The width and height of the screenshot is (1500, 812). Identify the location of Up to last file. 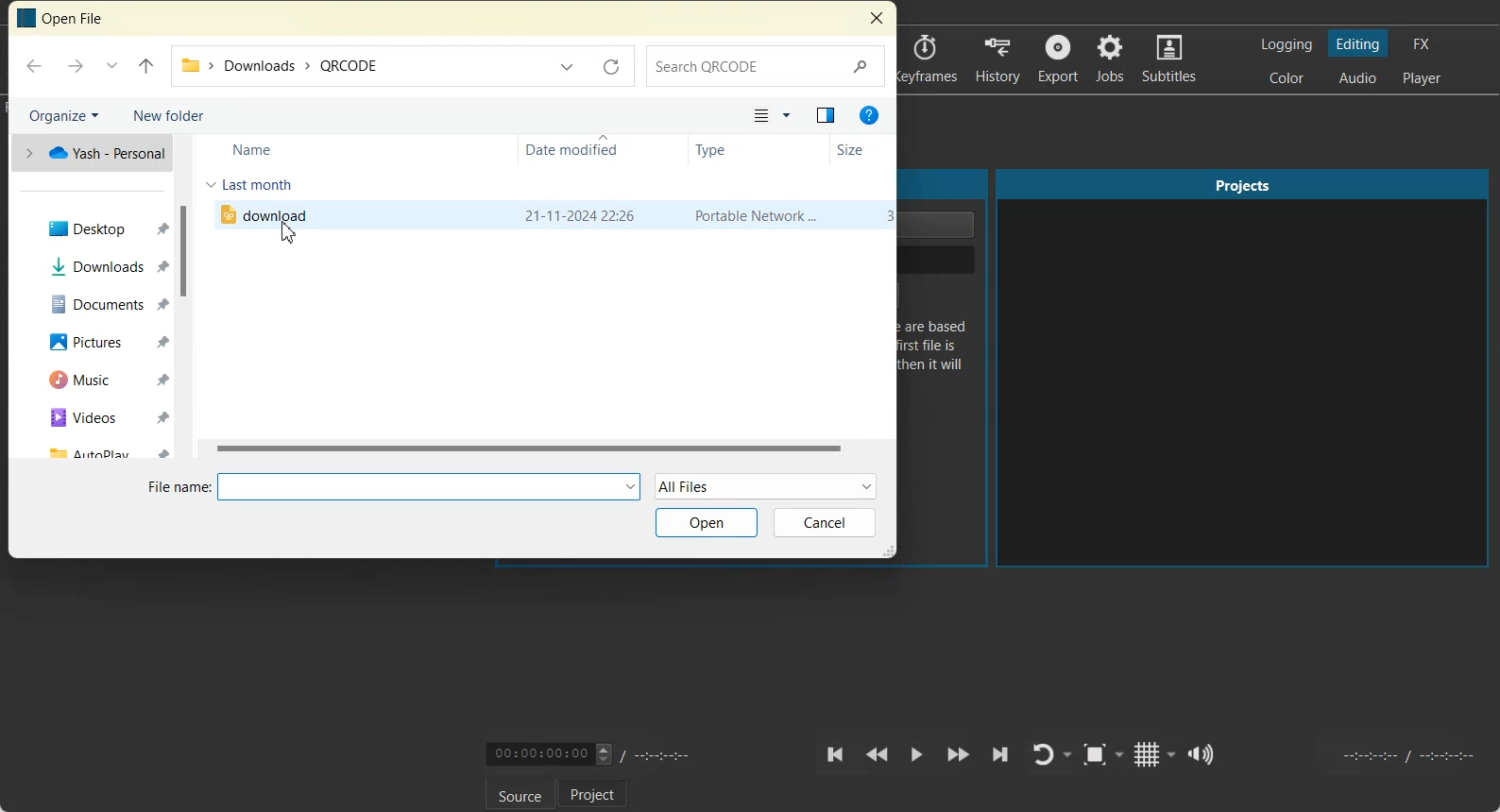
(145, 66).